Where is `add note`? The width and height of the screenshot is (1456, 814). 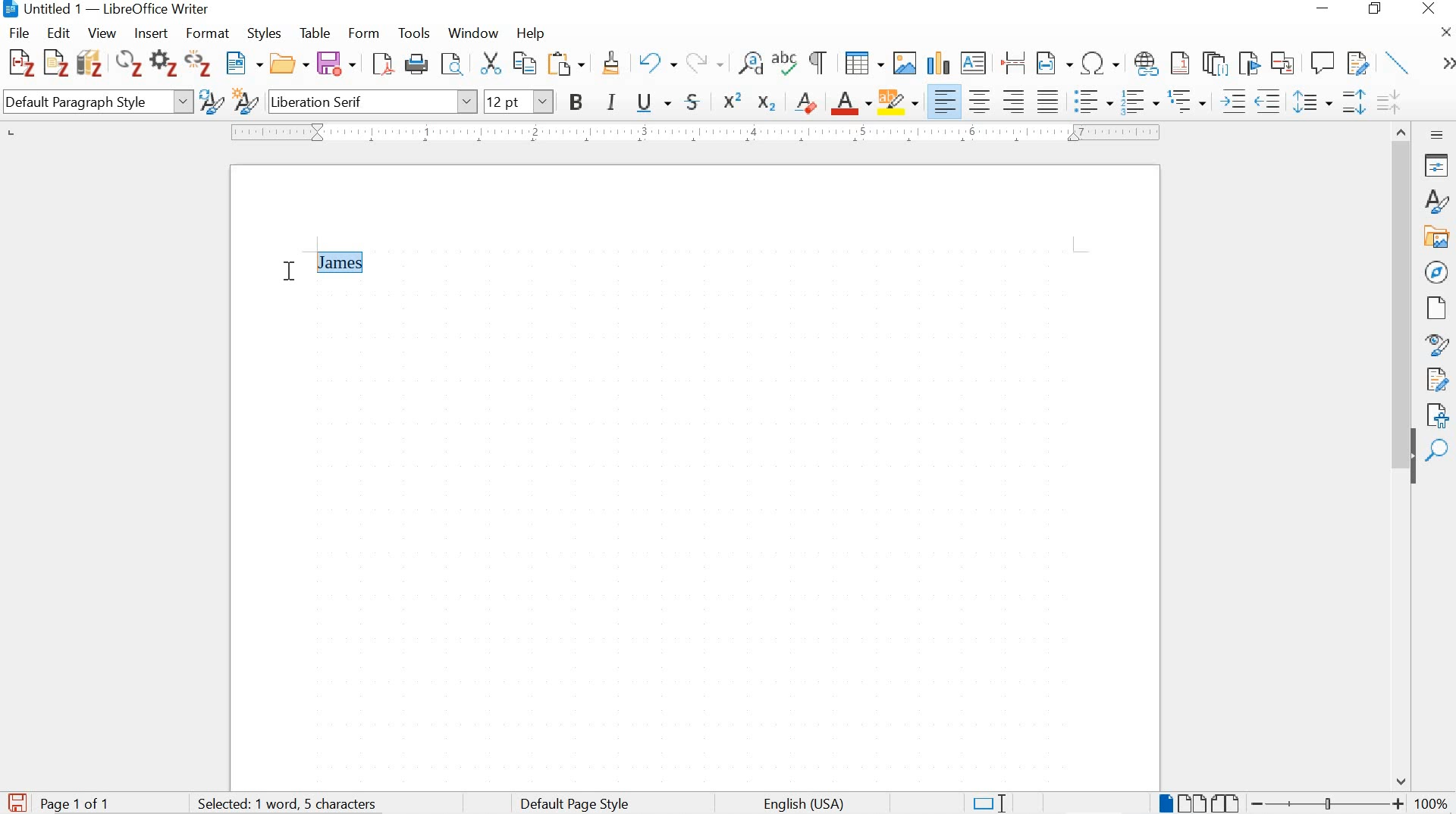 add note is located at coordinates (56, 61).